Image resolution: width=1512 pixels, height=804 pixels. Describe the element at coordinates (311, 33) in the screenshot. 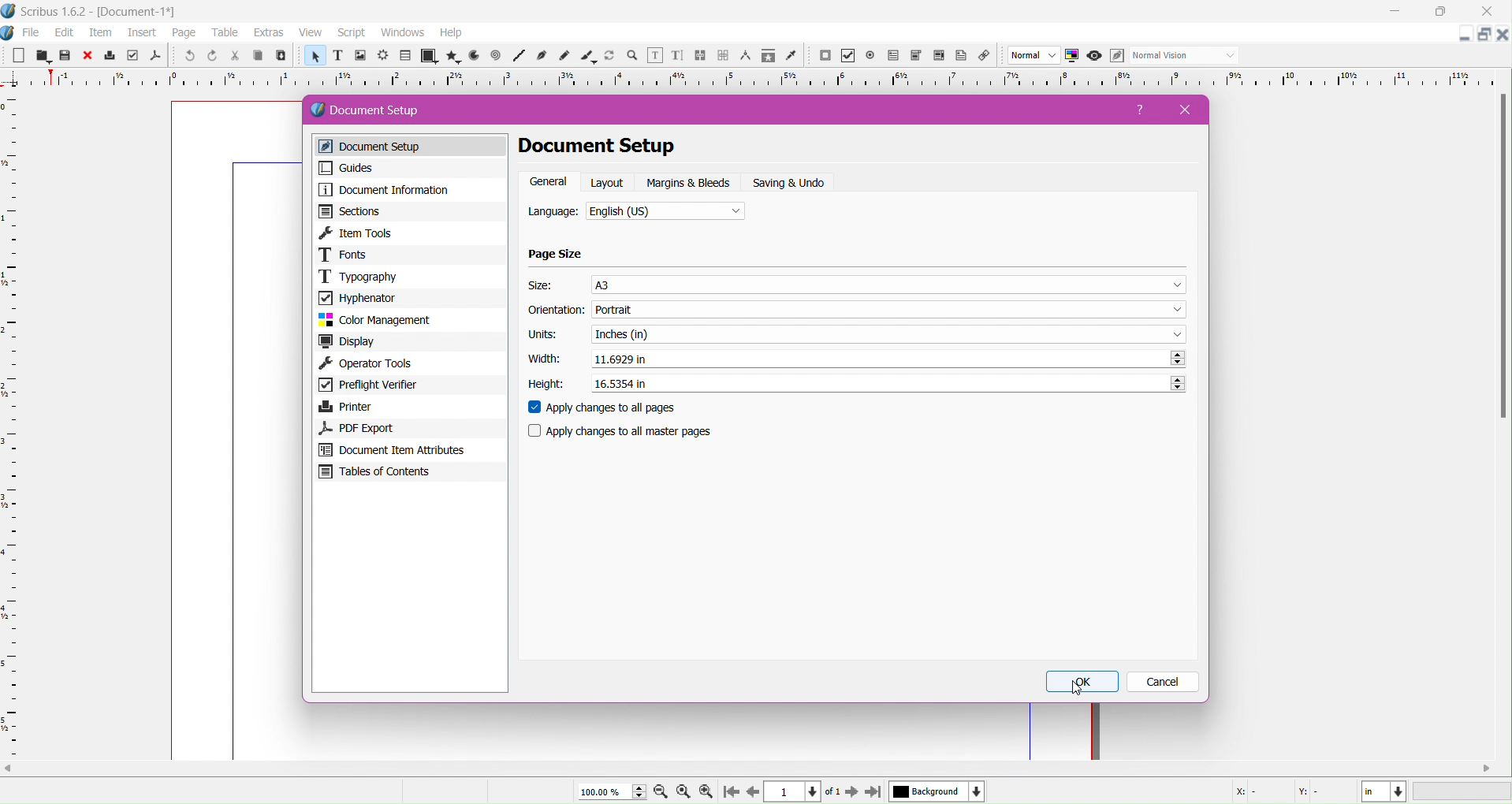

I see `view menu` at that location.